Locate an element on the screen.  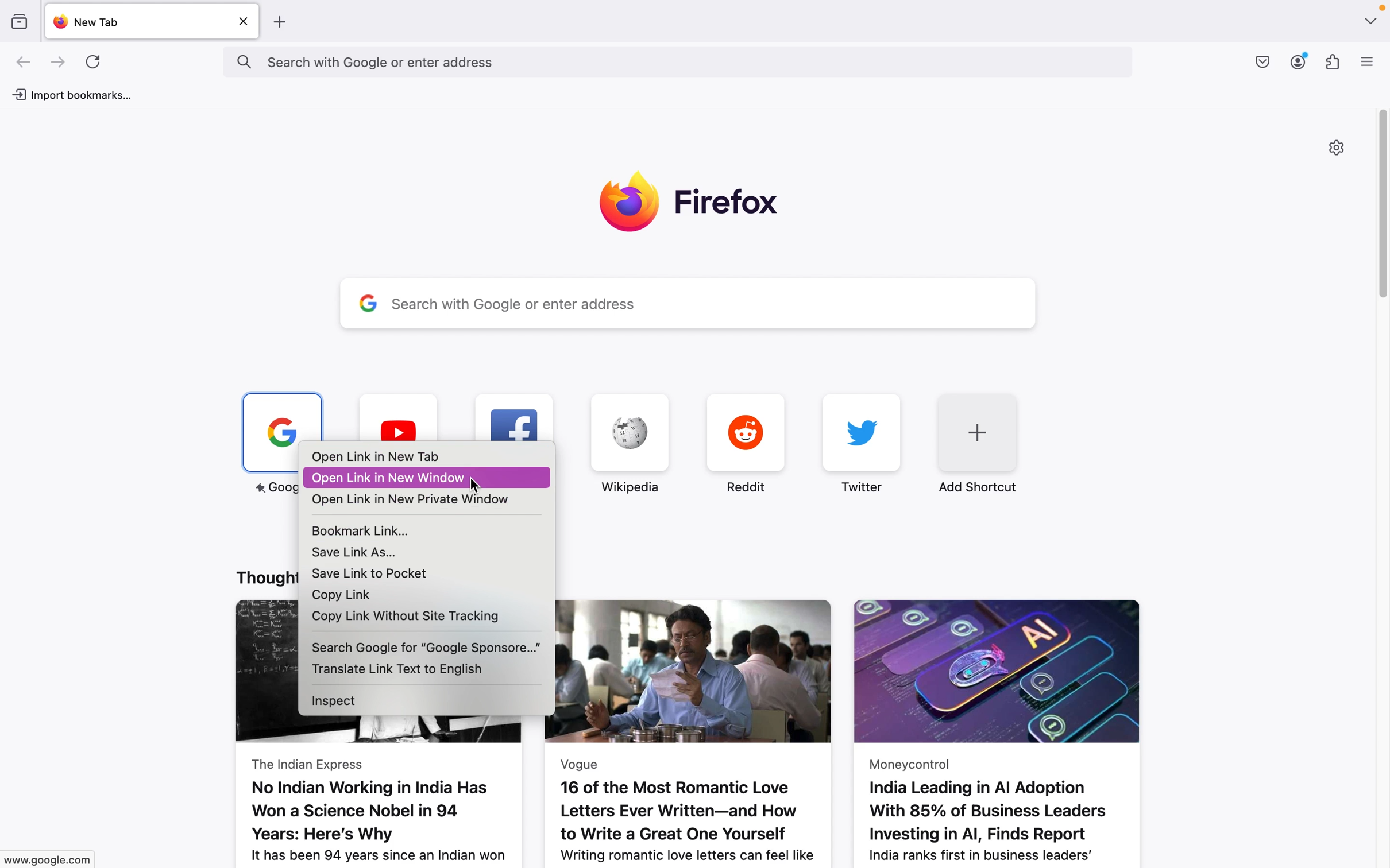
Moneycontrol

India Leading in Al Adoption
With 85% of Business Leaders
Investing in Al, Finds Report is located at coordinates (1015, 728).